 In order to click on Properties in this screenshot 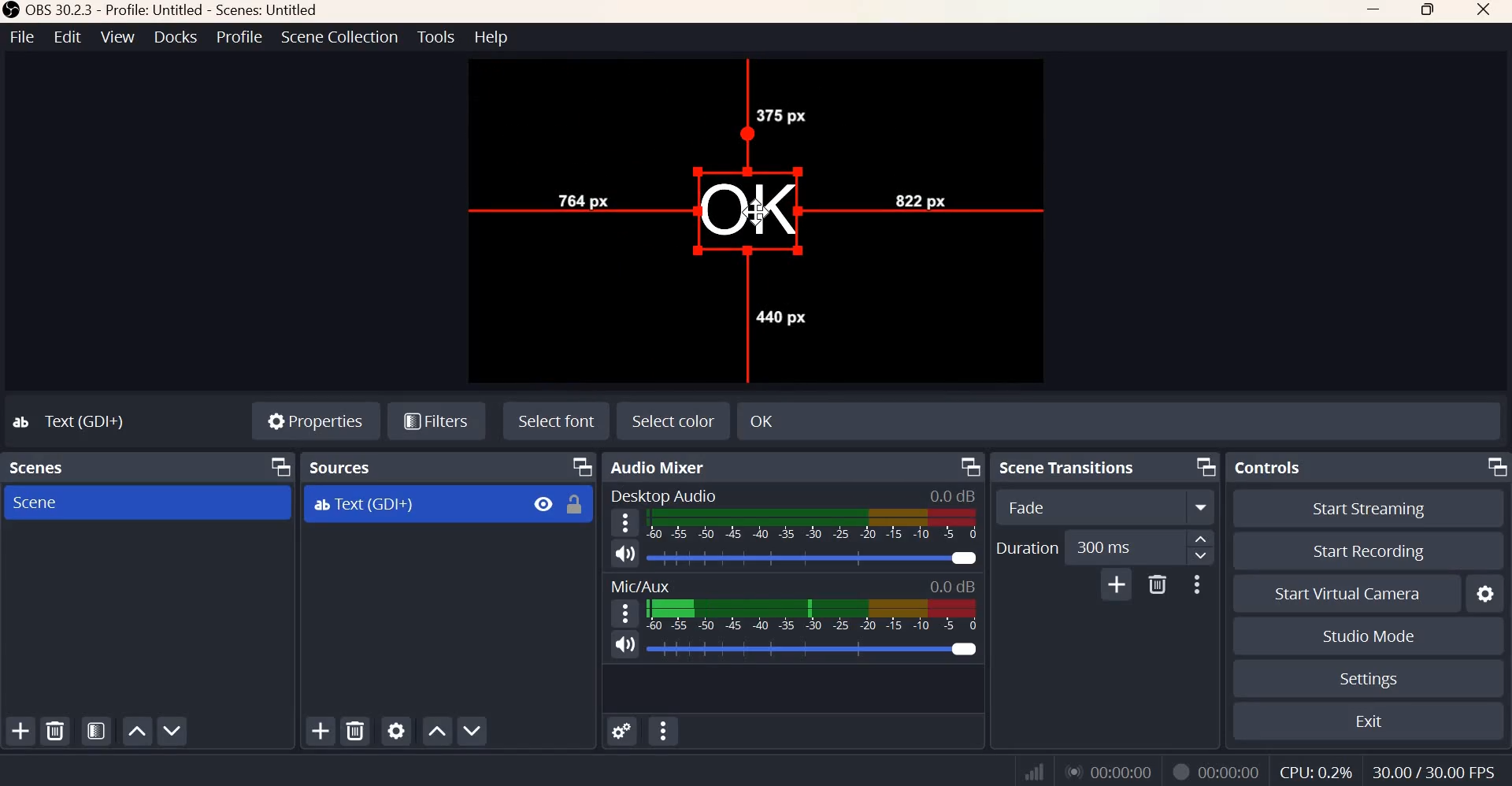, I will do `click(316, 418)`.